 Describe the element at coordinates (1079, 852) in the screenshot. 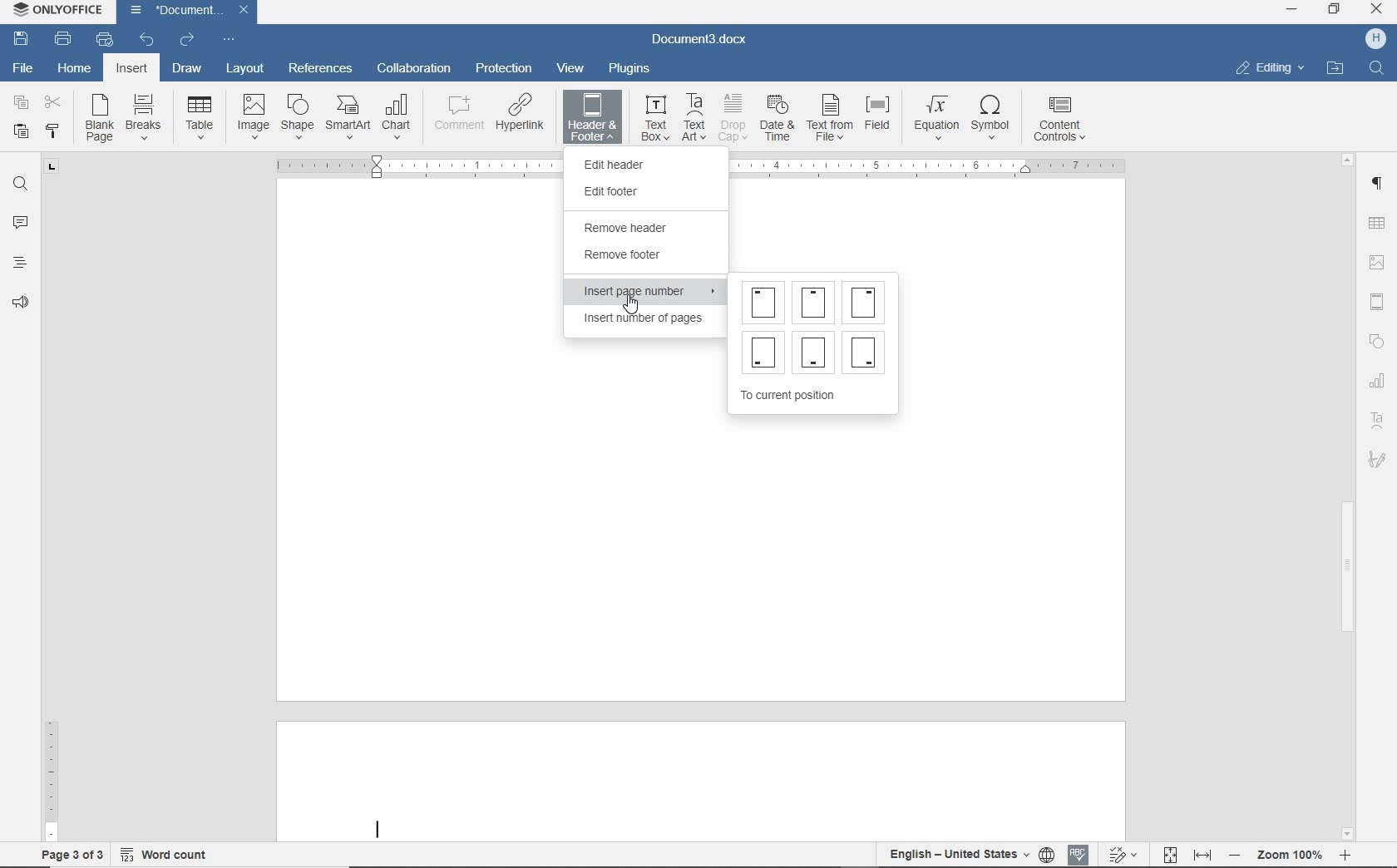

I see `Spell check` at that location.